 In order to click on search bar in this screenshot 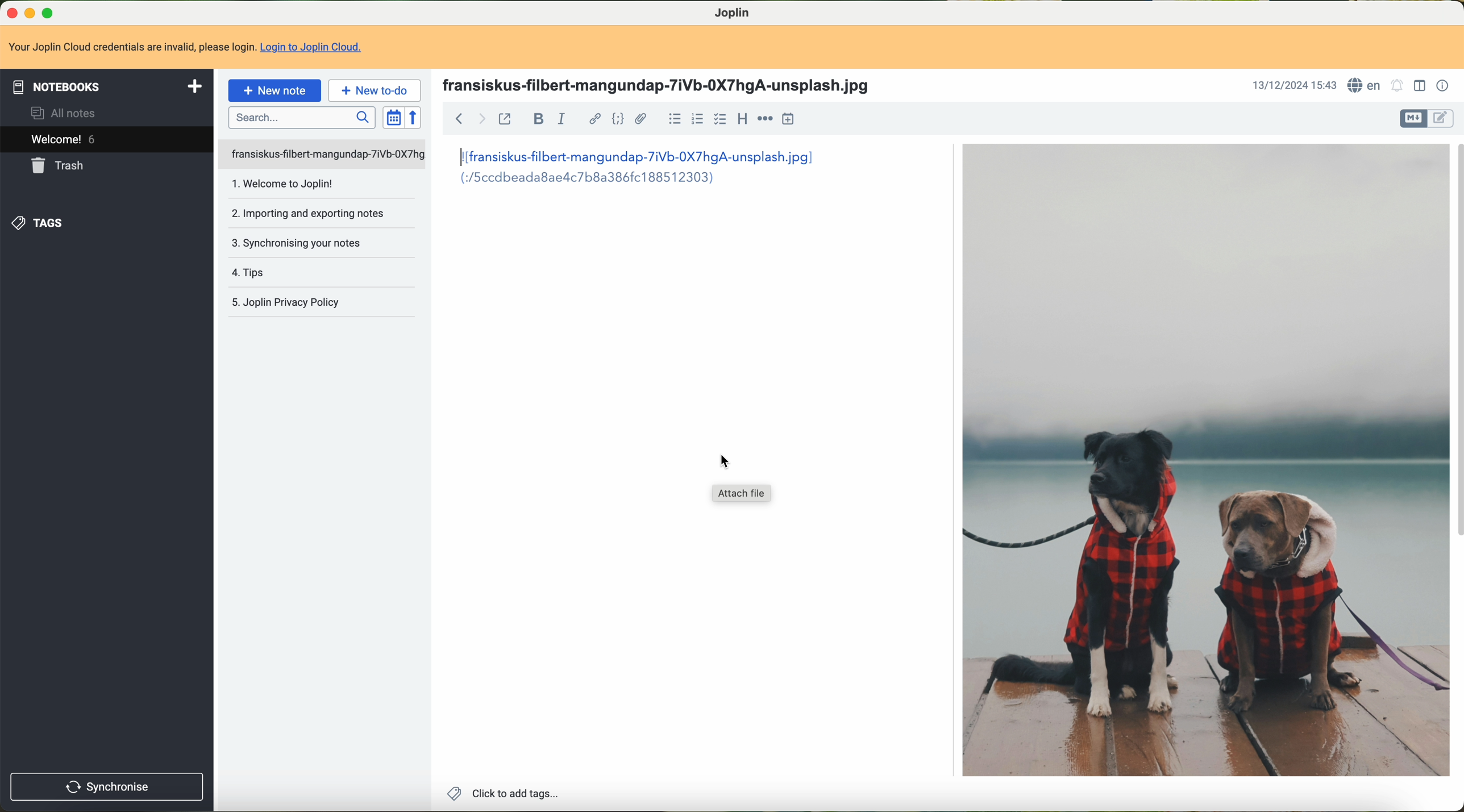, I will do `click(302, 118)`.